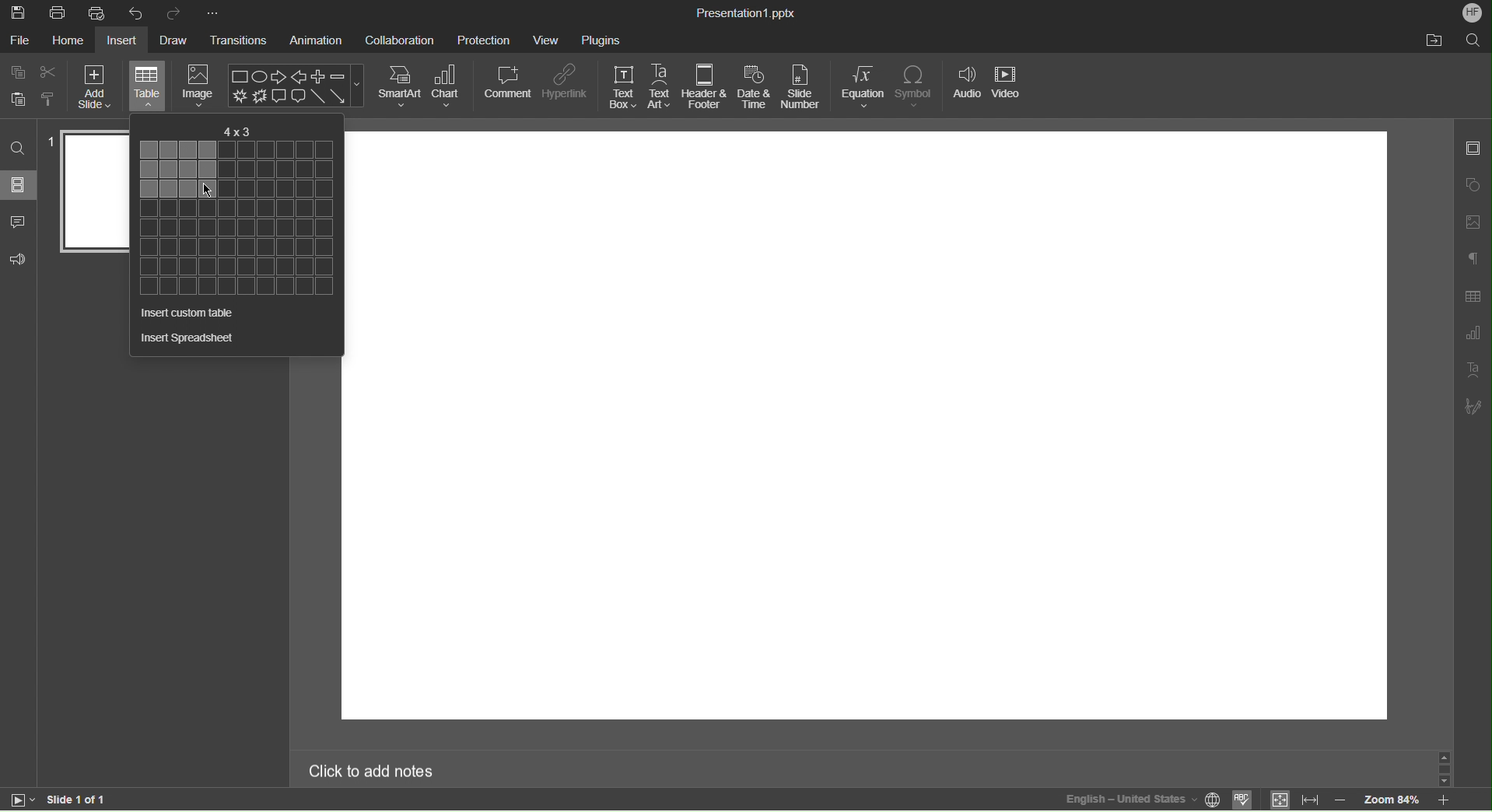 The width and height of the screenshot is (1492, 812). What do you see at coordinates (18, 262) in the screenshot?
I see `Comments and Feedback` at bounding box center [18, 262].